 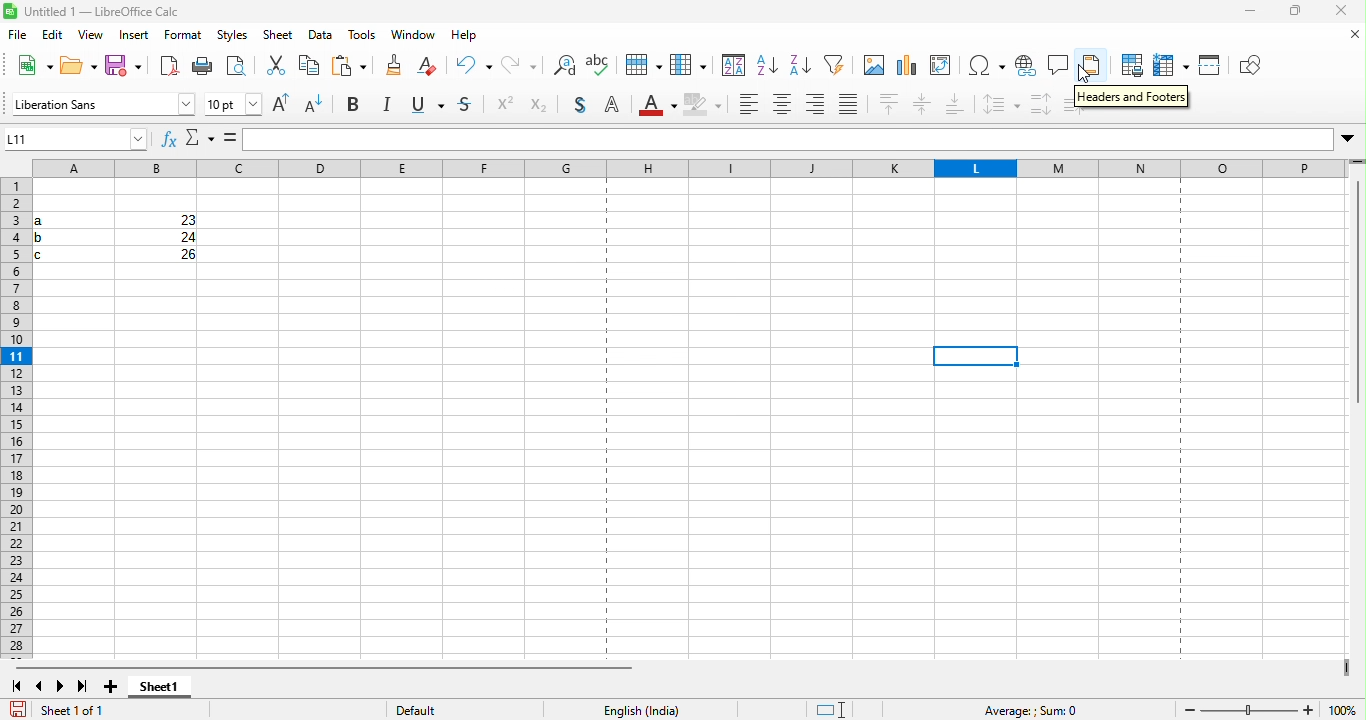 I want to click on previous sheet, so click(x=37, y=683).